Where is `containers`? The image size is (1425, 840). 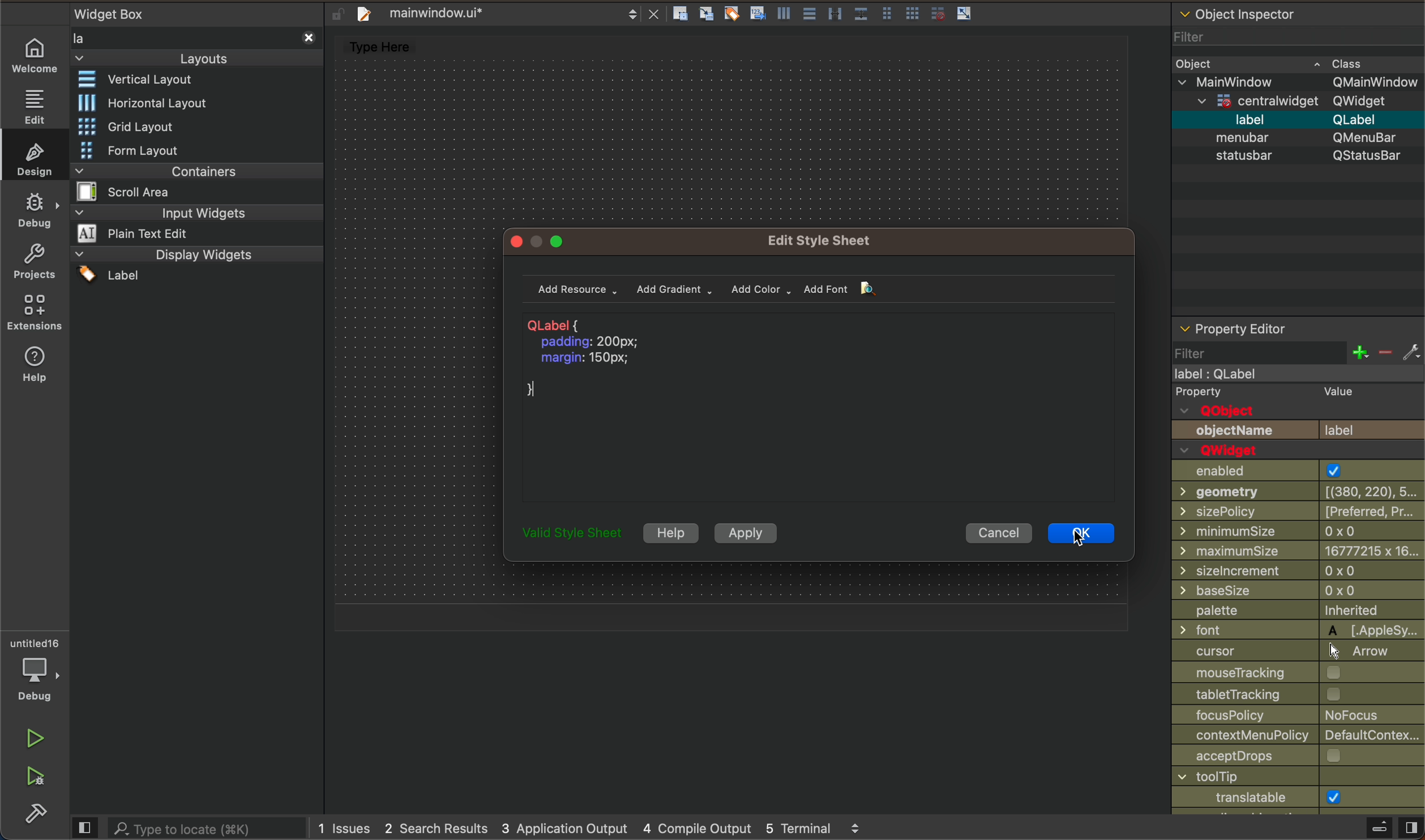
containers is located at coordinates (192, 181).